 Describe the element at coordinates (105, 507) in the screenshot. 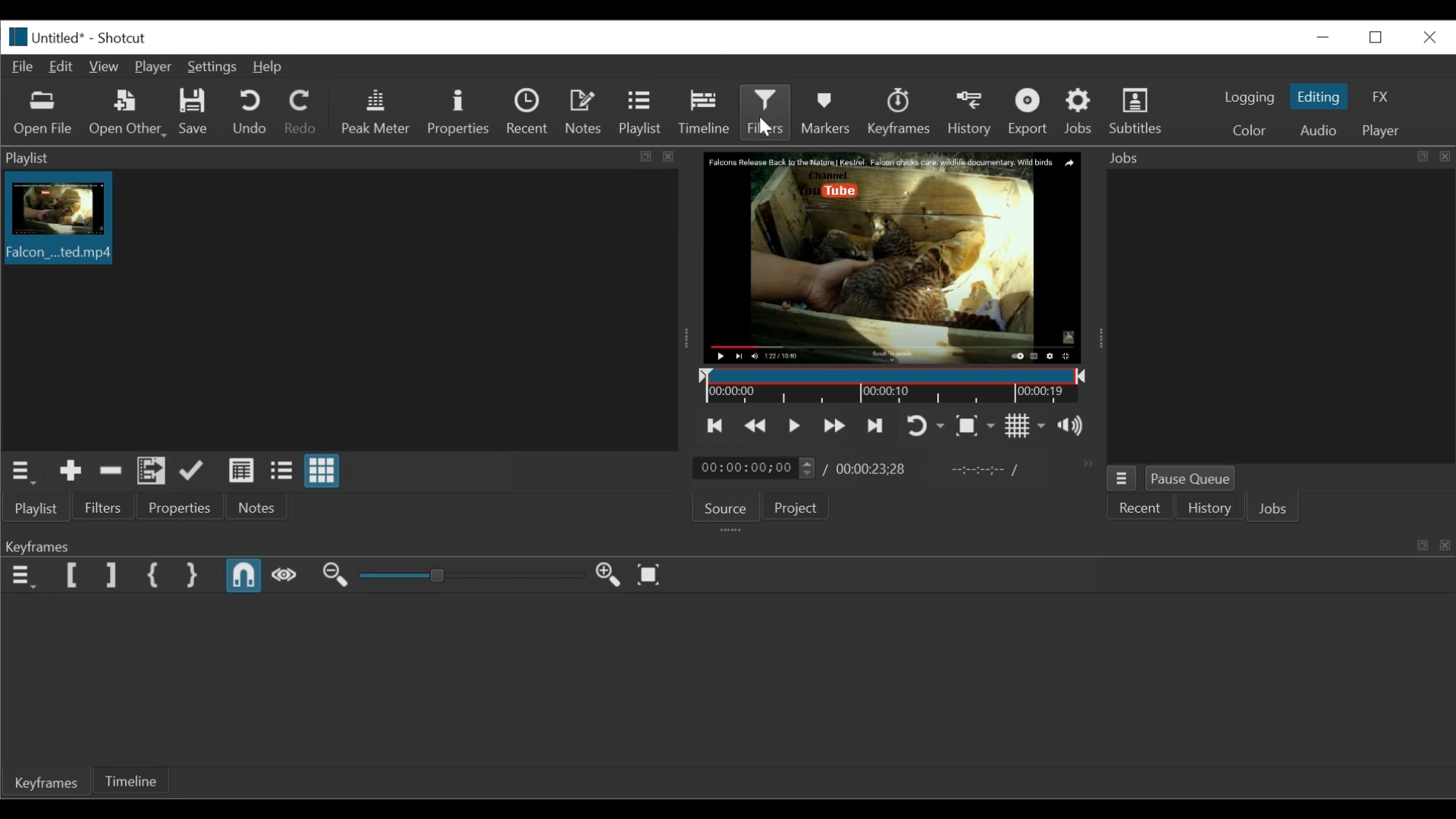

I see `Filters` at that location.